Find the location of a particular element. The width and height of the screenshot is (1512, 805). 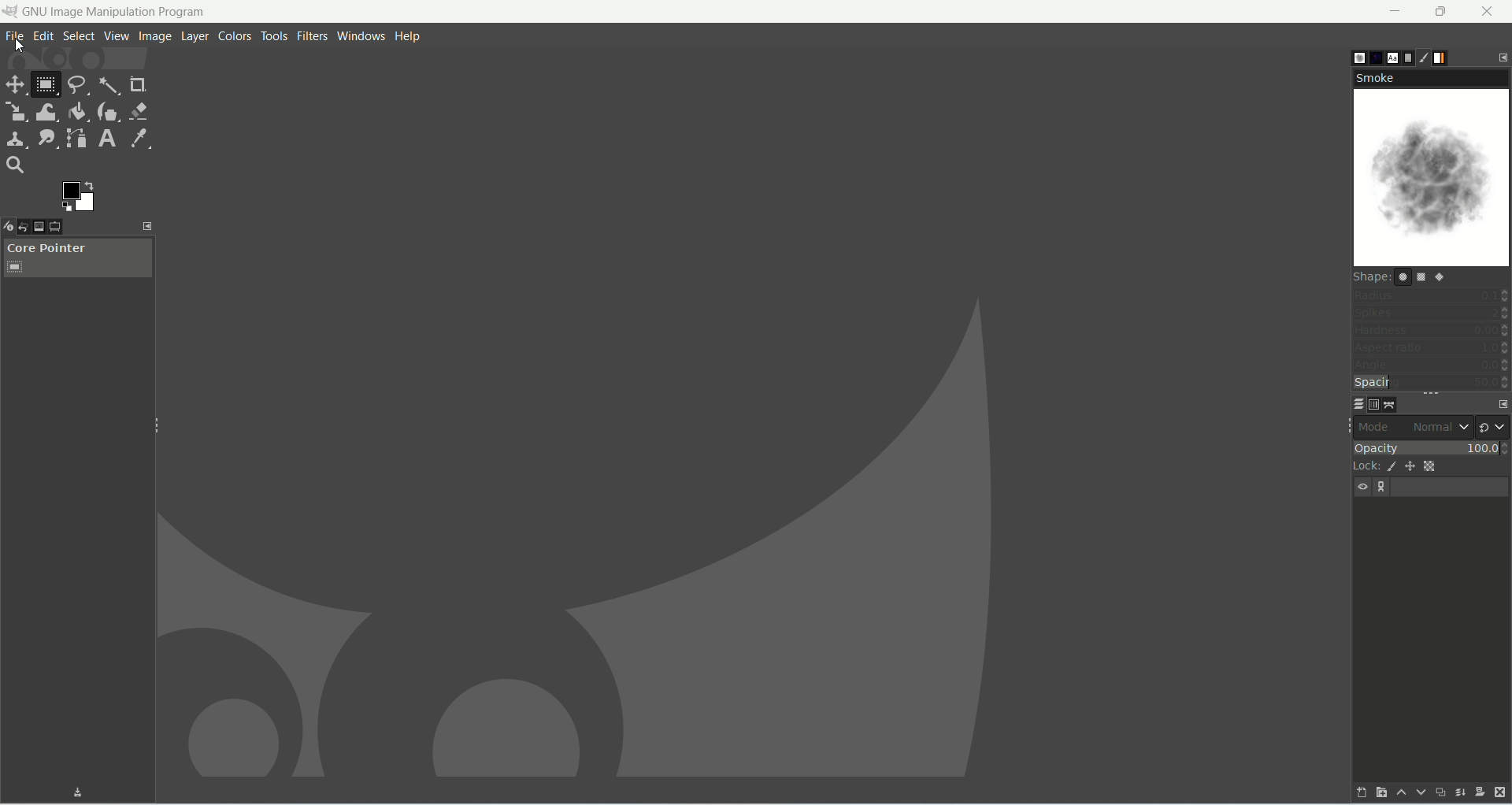

delete is located at coordinates (1499, 792).